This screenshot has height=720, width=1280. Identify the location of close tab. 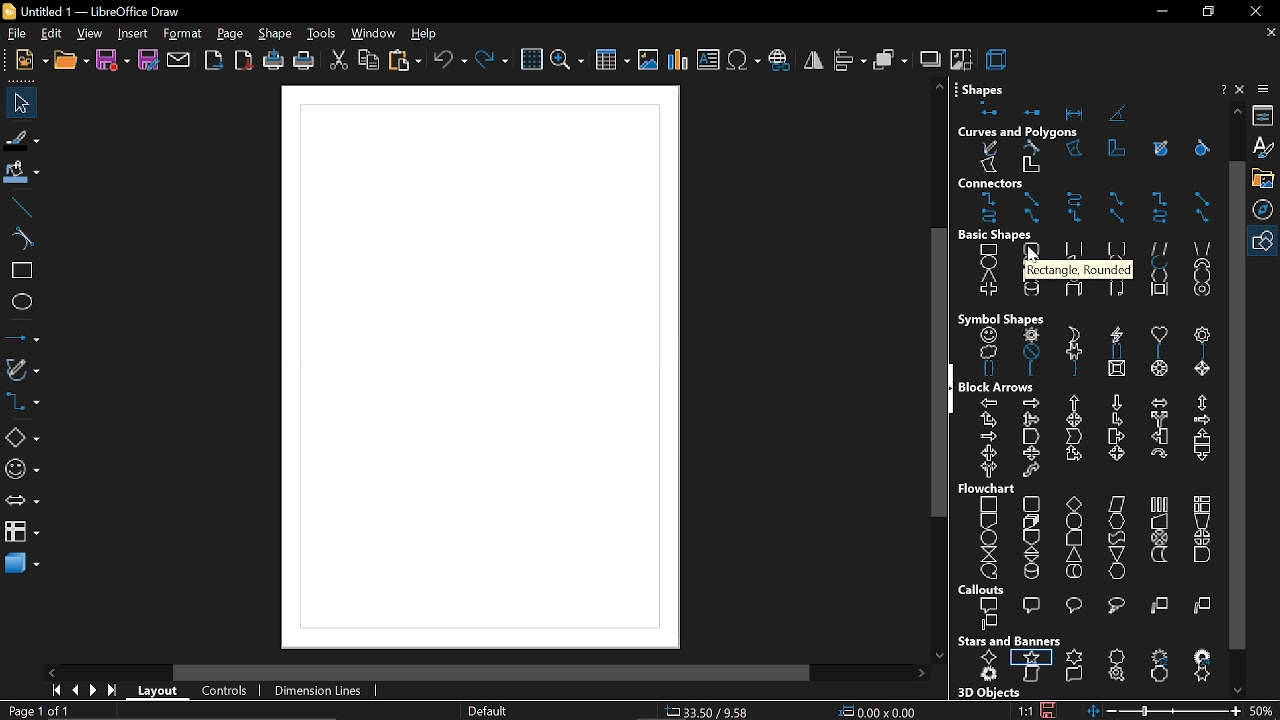
(1271, 33).